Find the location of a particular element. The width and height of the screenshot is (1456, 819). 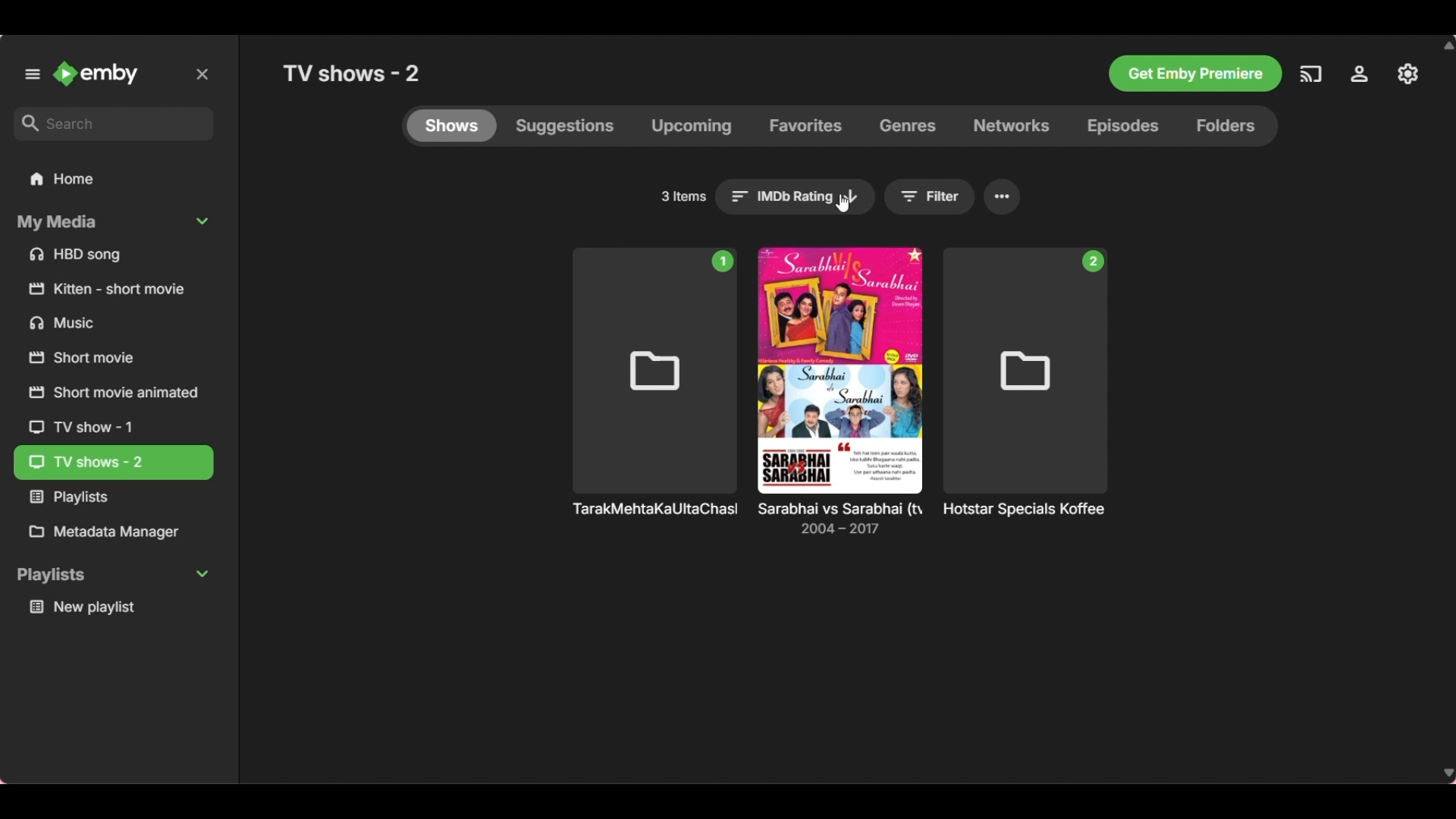

 is located at coordinates (1310, 73).